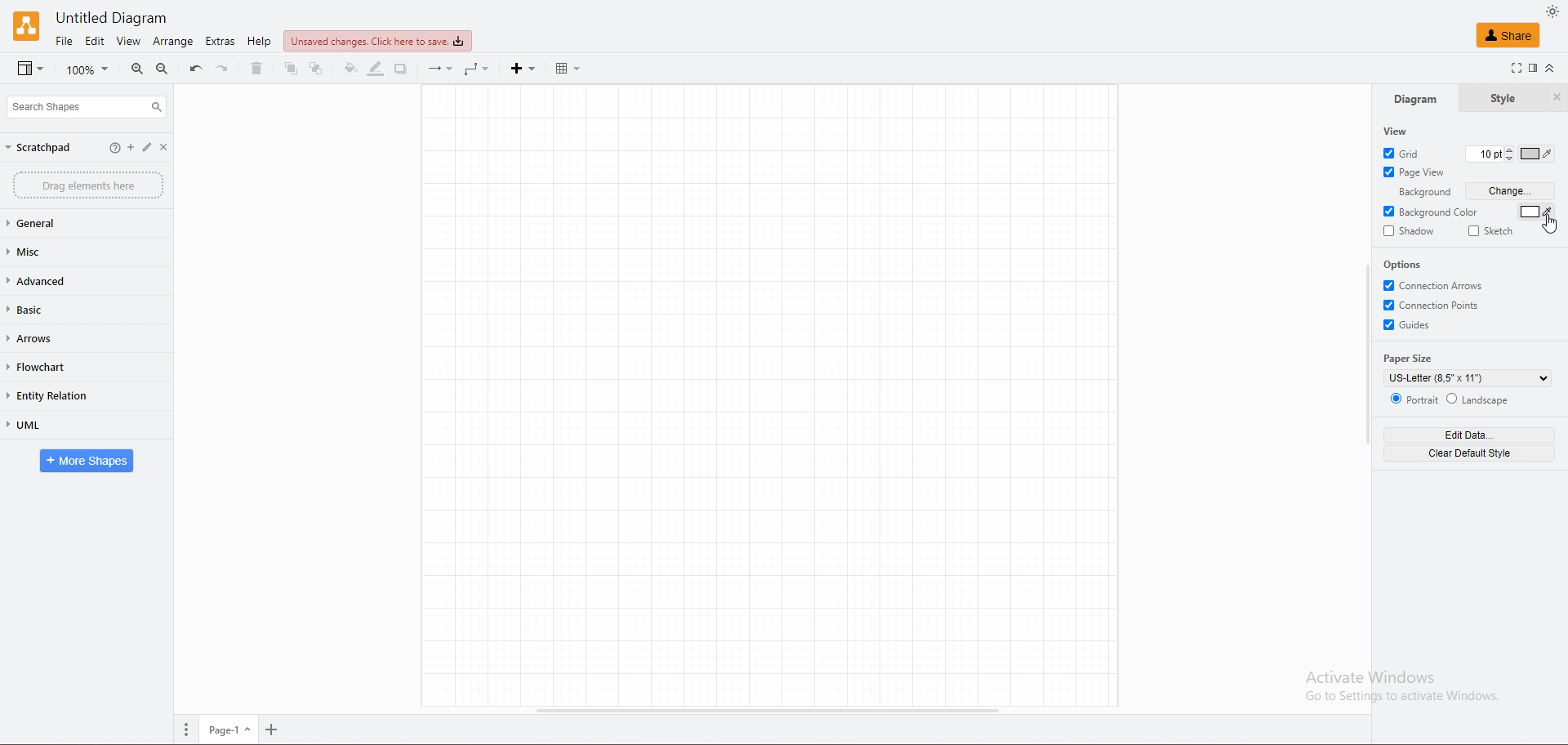 The width and height of the screenshot is (1568, 745). I want to click on edit, so click(96, 41).